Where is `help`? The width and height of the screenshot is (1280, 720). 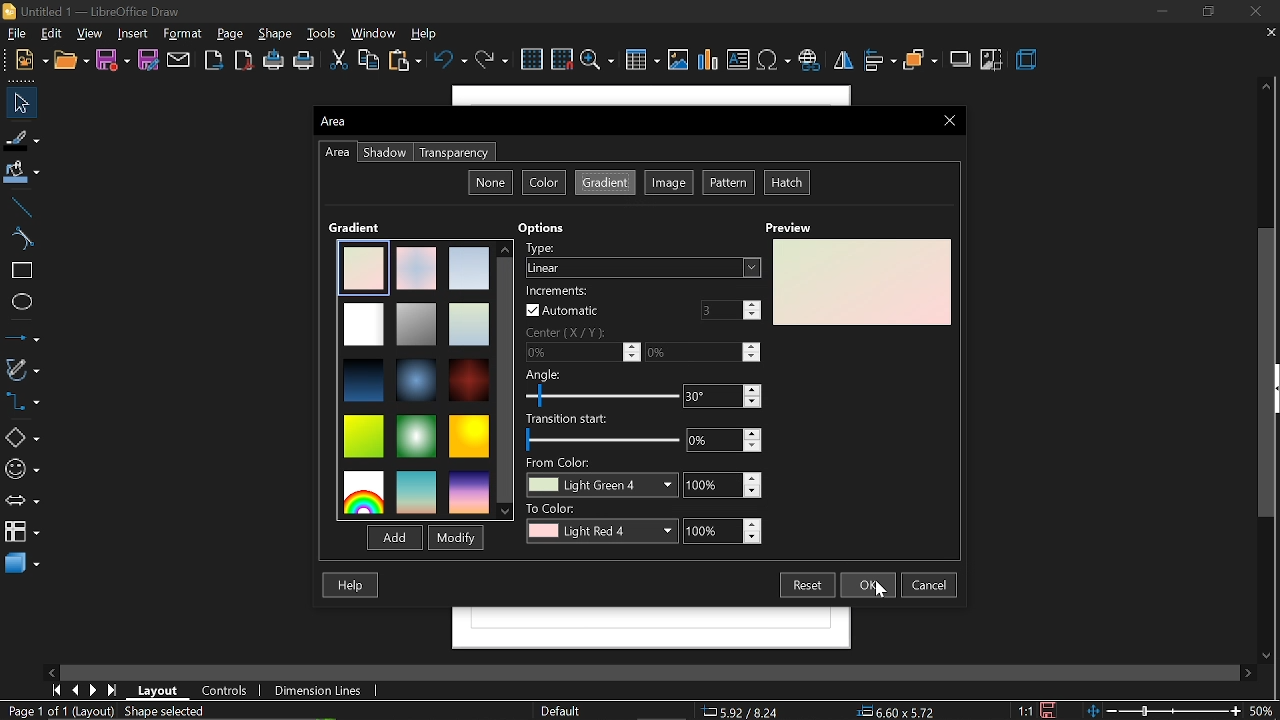 help is located at coordinates (352, 586).